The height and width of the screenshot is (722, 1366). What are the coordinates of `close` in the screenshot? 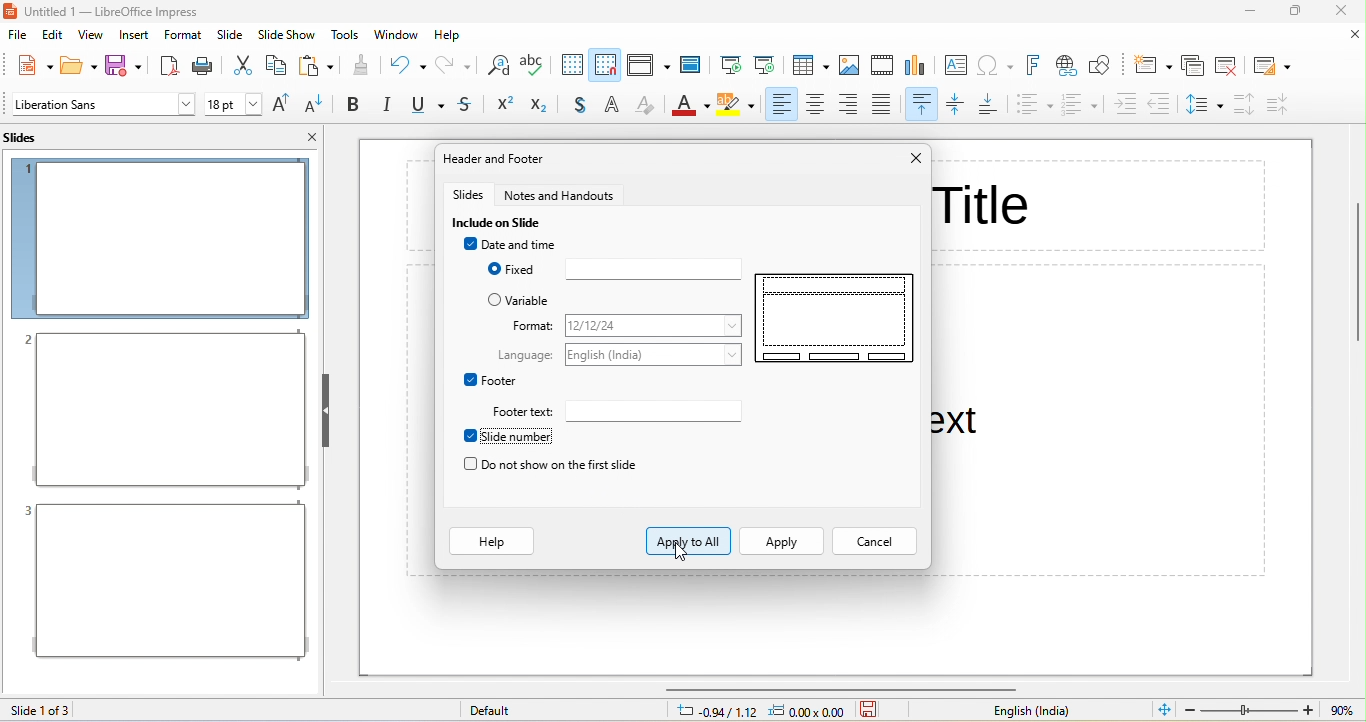 It's located at (1354, 35).